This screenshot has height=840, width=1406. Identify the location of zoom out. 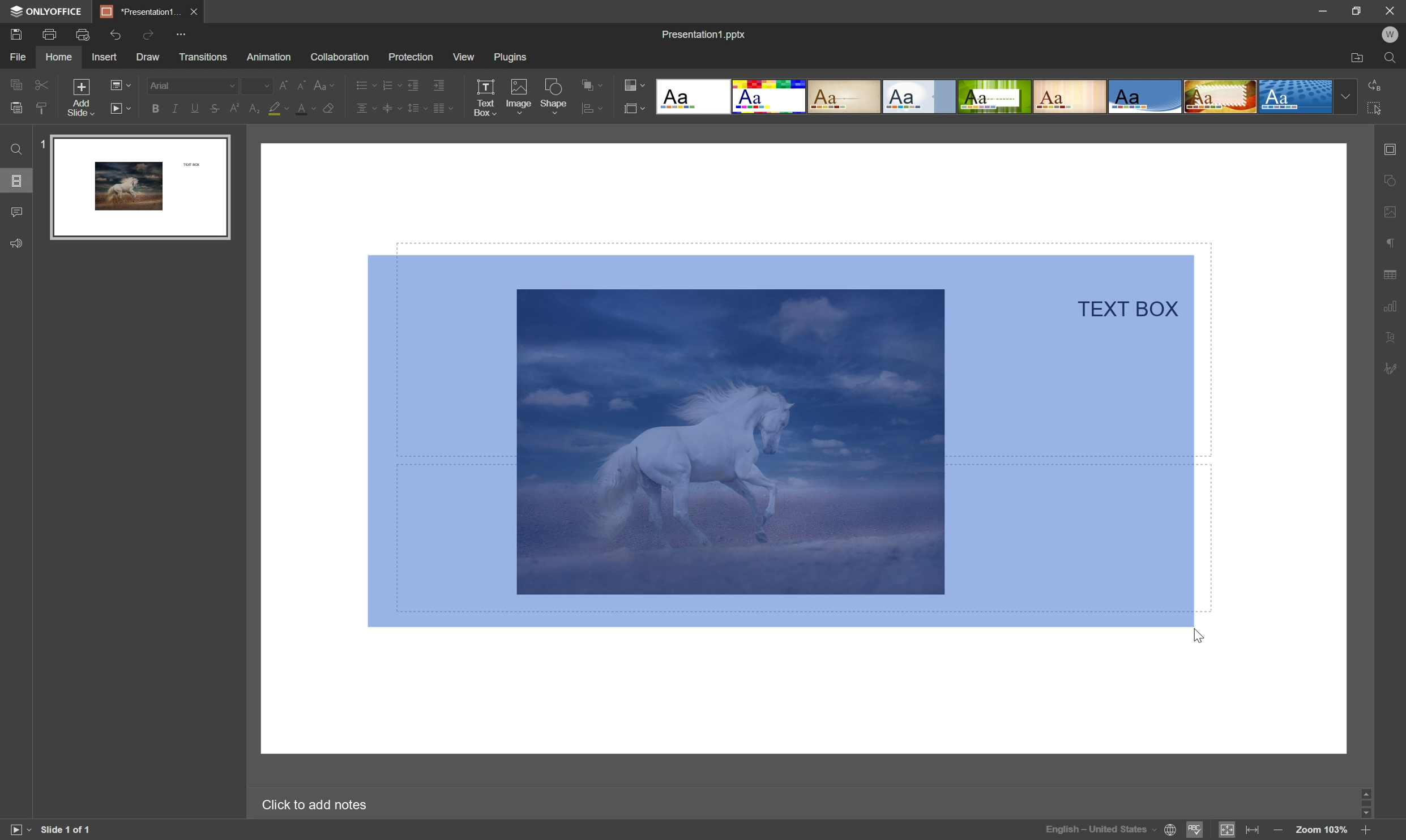
(1275, 830).